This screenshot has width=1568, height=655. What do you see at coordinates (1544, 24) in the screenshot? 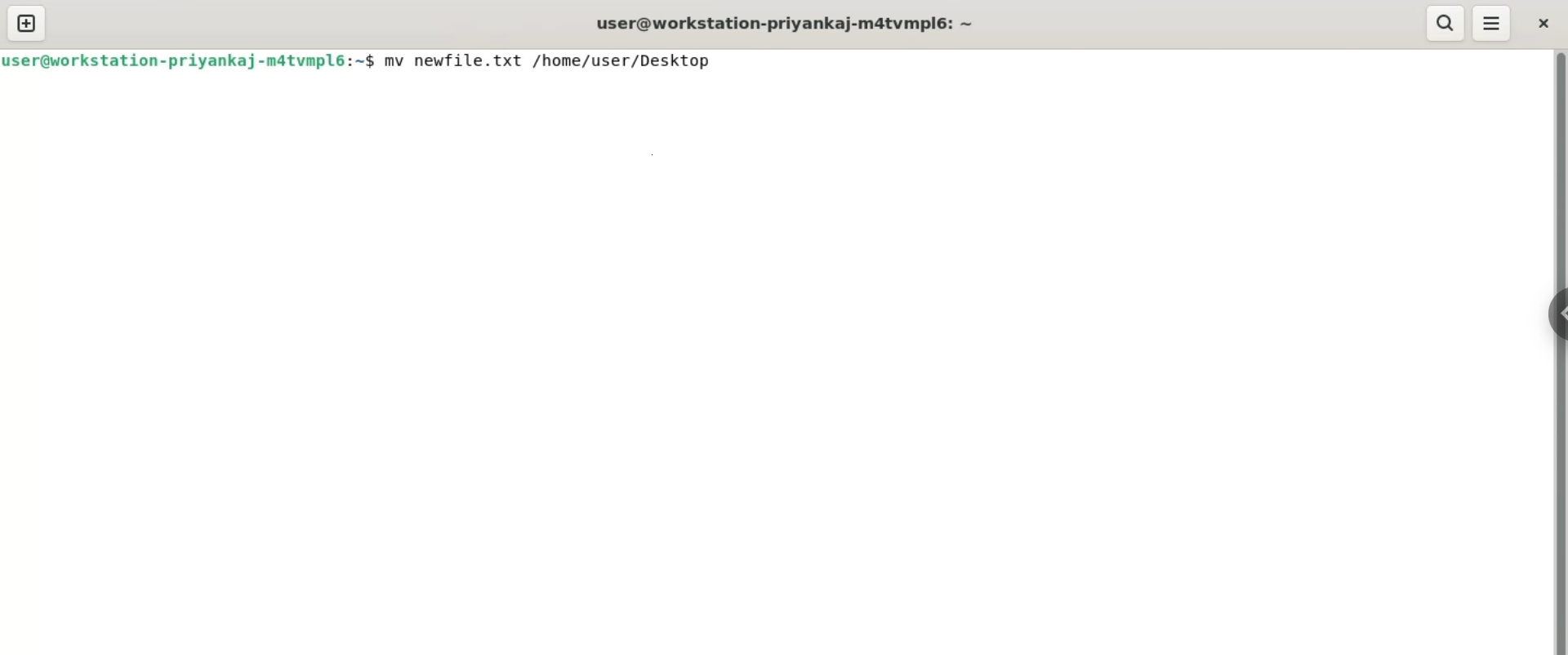
I see `close` at bounding box center [1544, 24].